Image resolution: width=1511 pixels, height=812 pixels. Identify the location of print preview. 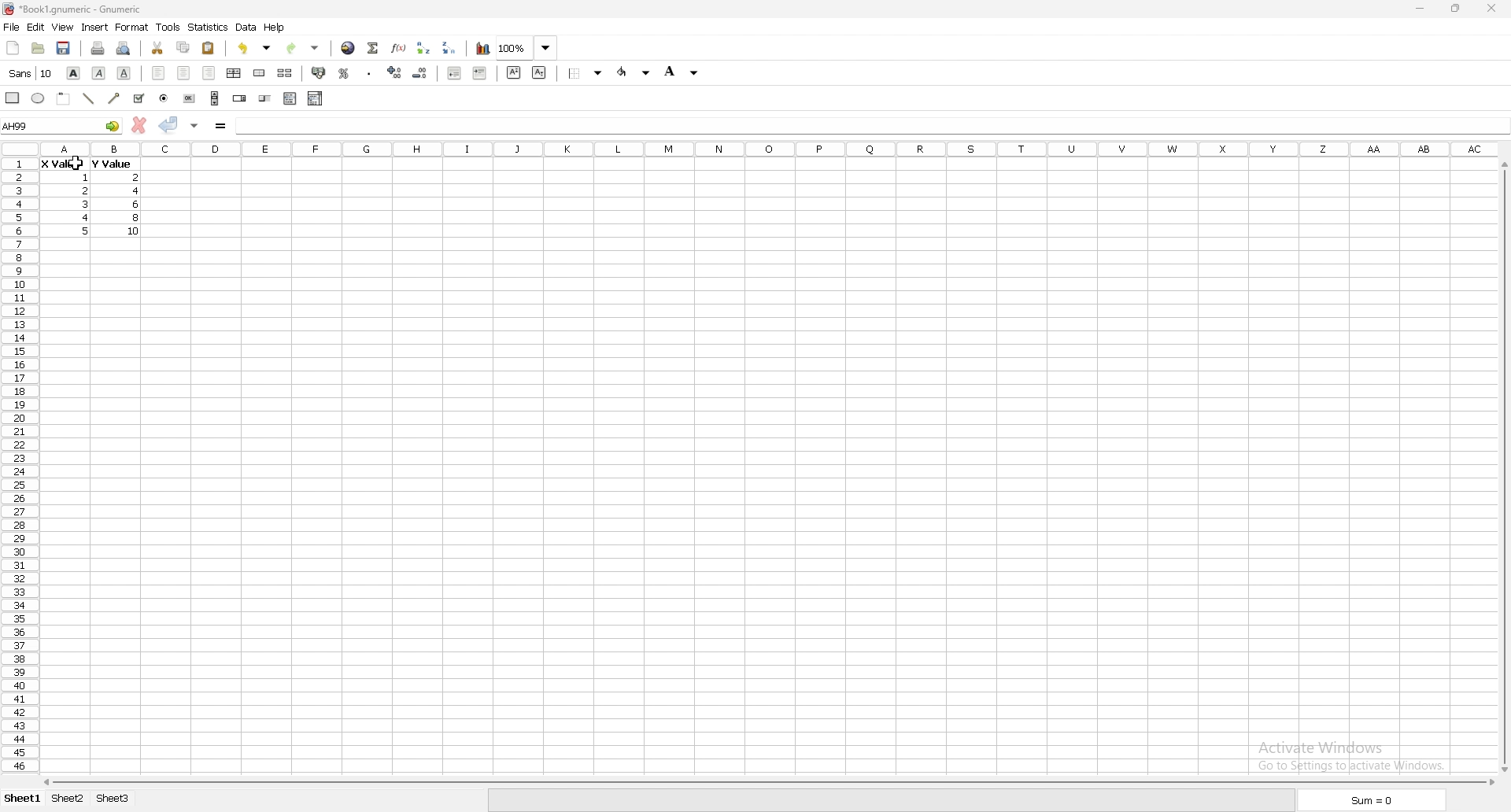
(124, 48).